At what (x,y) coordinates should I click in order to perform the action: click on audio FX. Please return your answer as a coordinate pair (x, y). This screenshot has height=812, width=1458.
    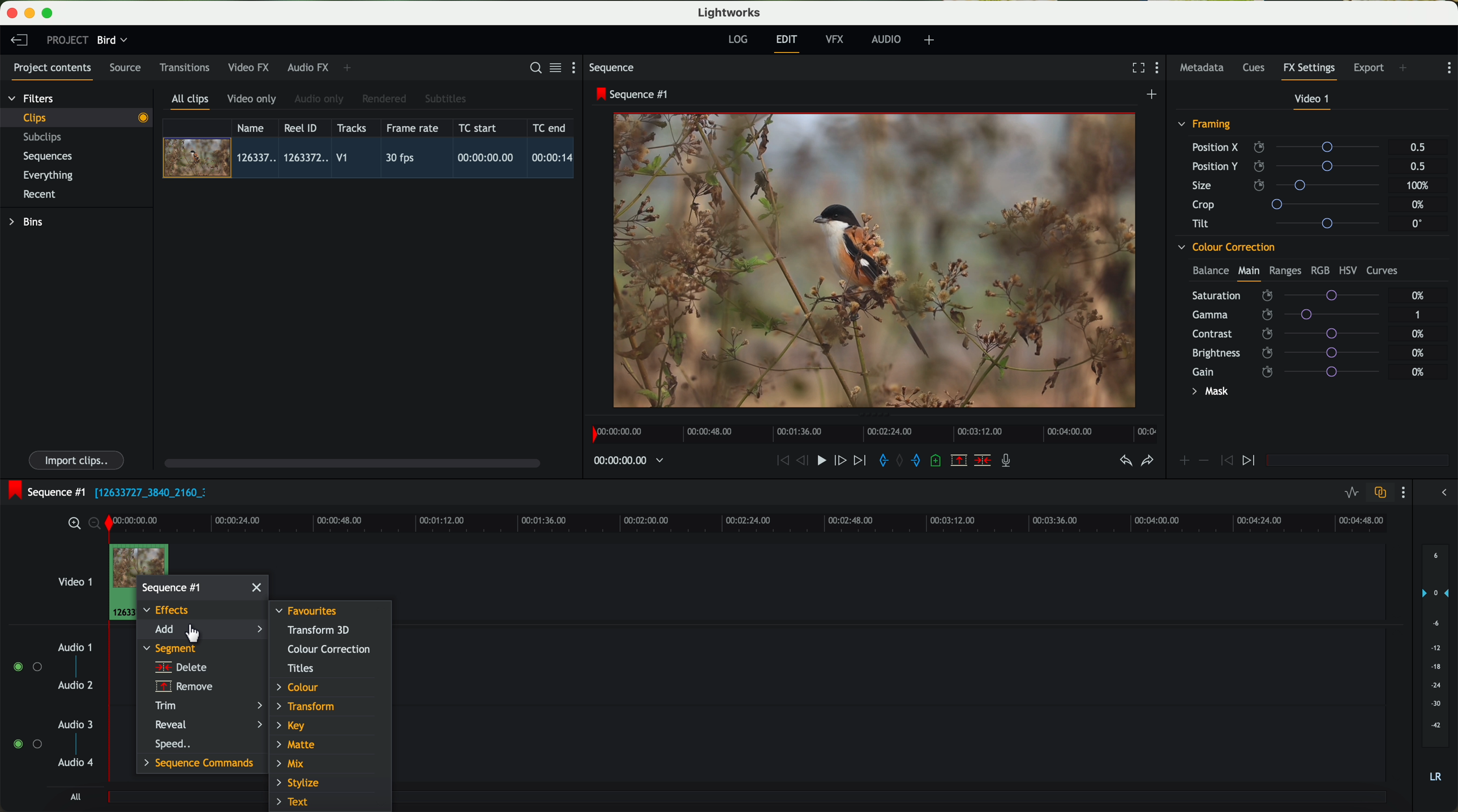
    Looking at the image, I should click on (308, 67).